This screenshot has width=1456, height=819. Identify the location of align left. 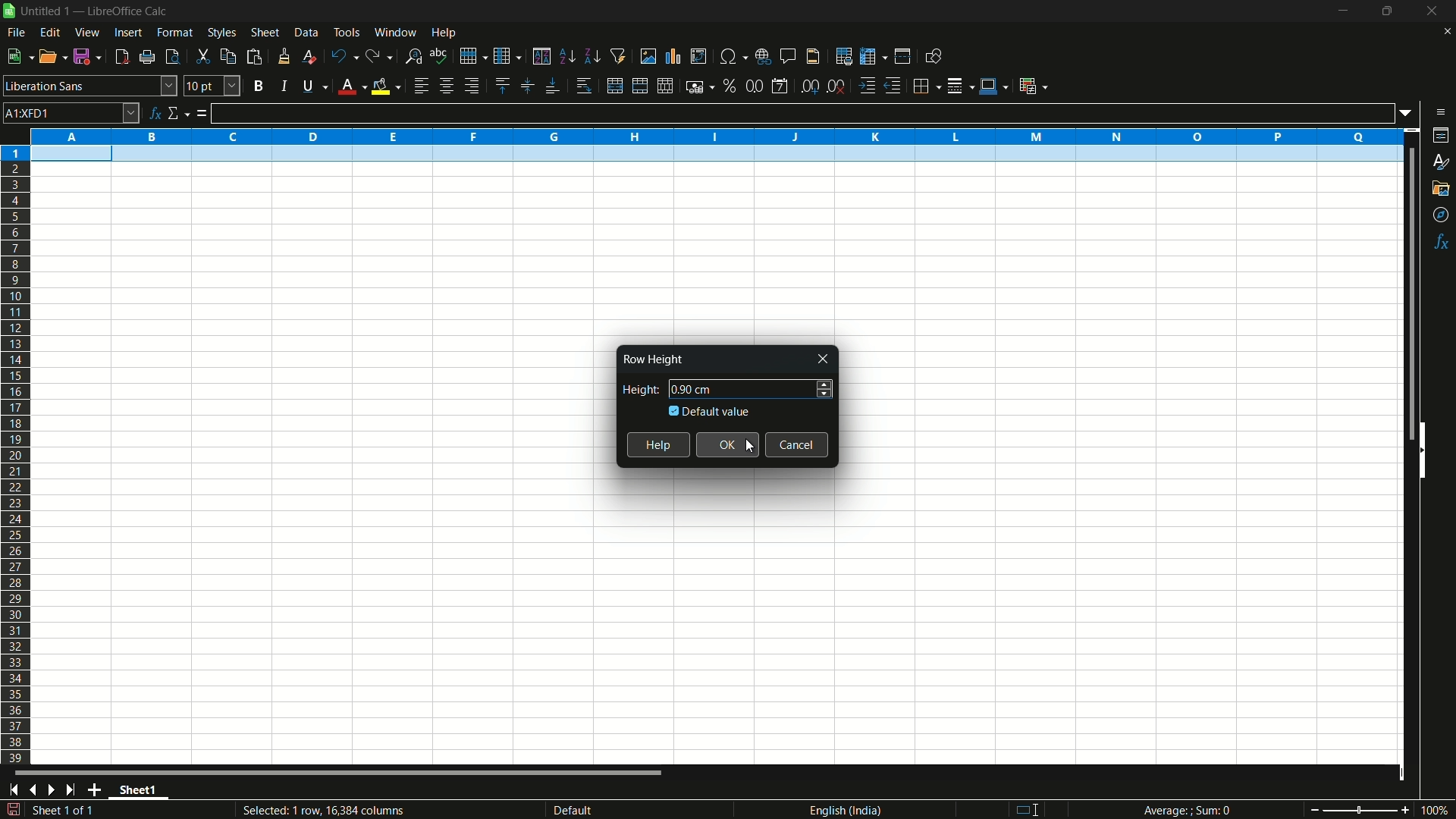
(420, 86).